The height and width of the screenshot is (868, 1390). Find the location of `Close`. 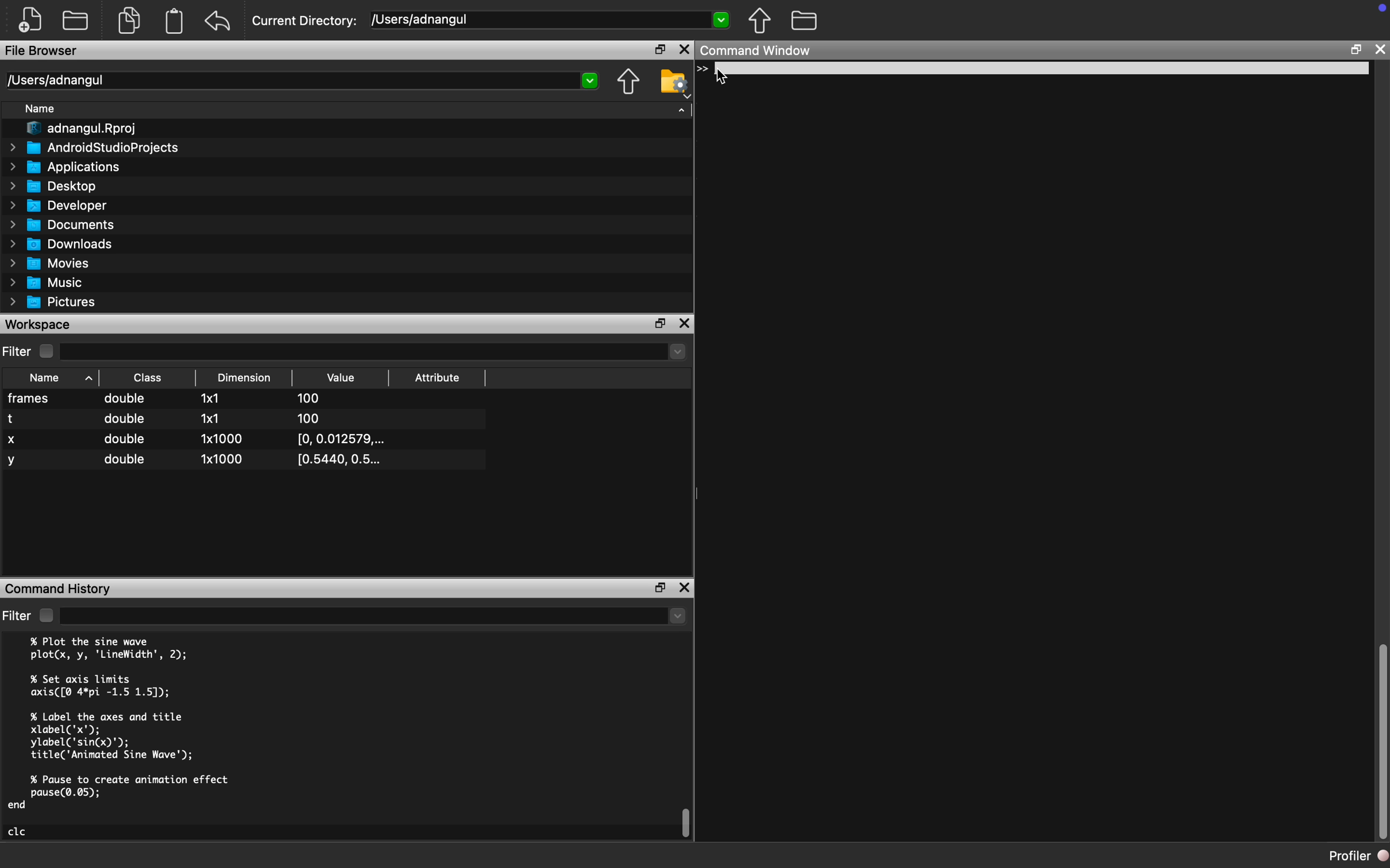

Close is located at coordinates (684, 49).